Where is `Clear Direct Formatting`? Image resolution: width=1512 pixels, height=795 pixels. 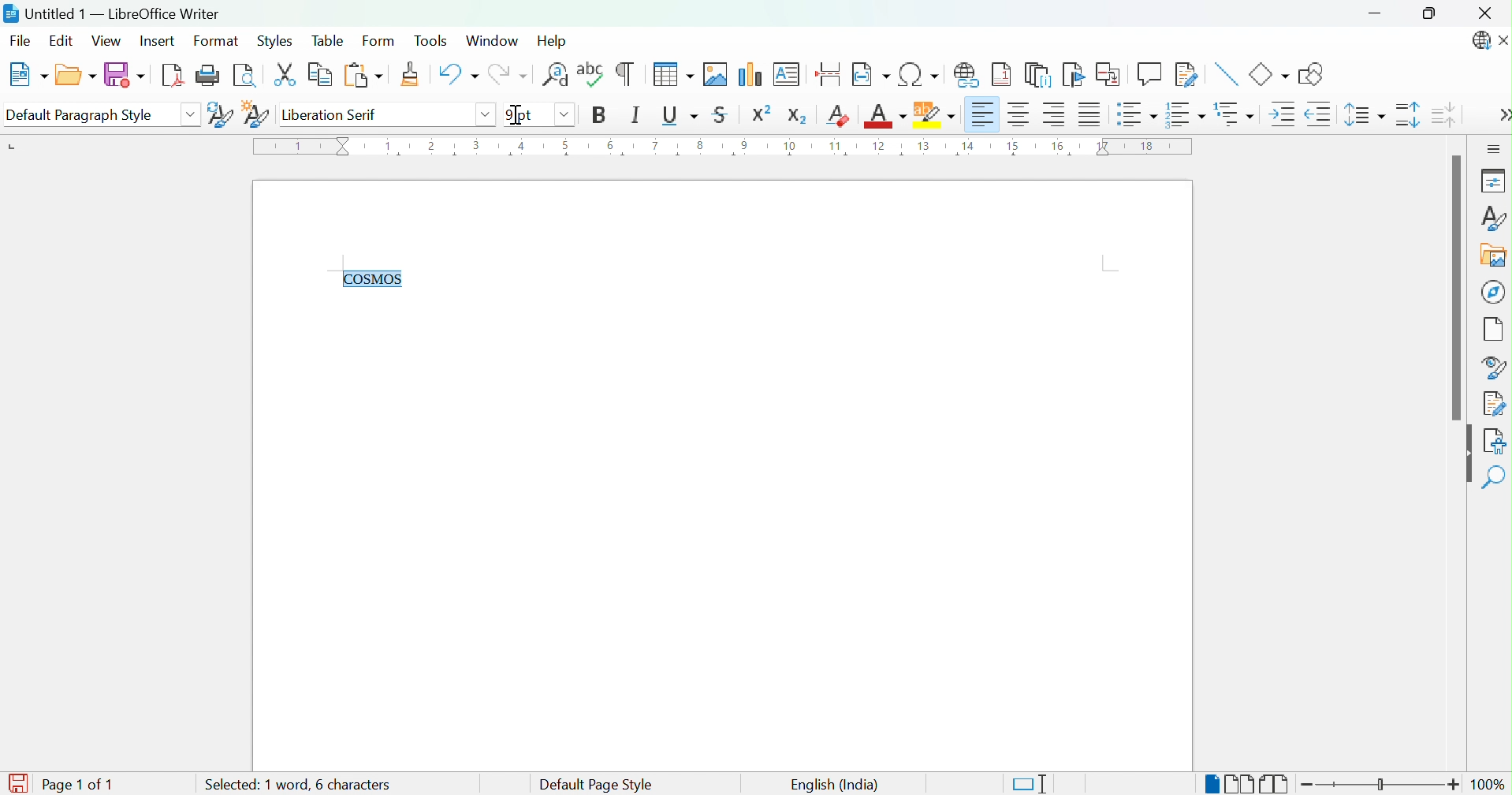 Clear Direct Formatting is located at coordinates (840, 115).